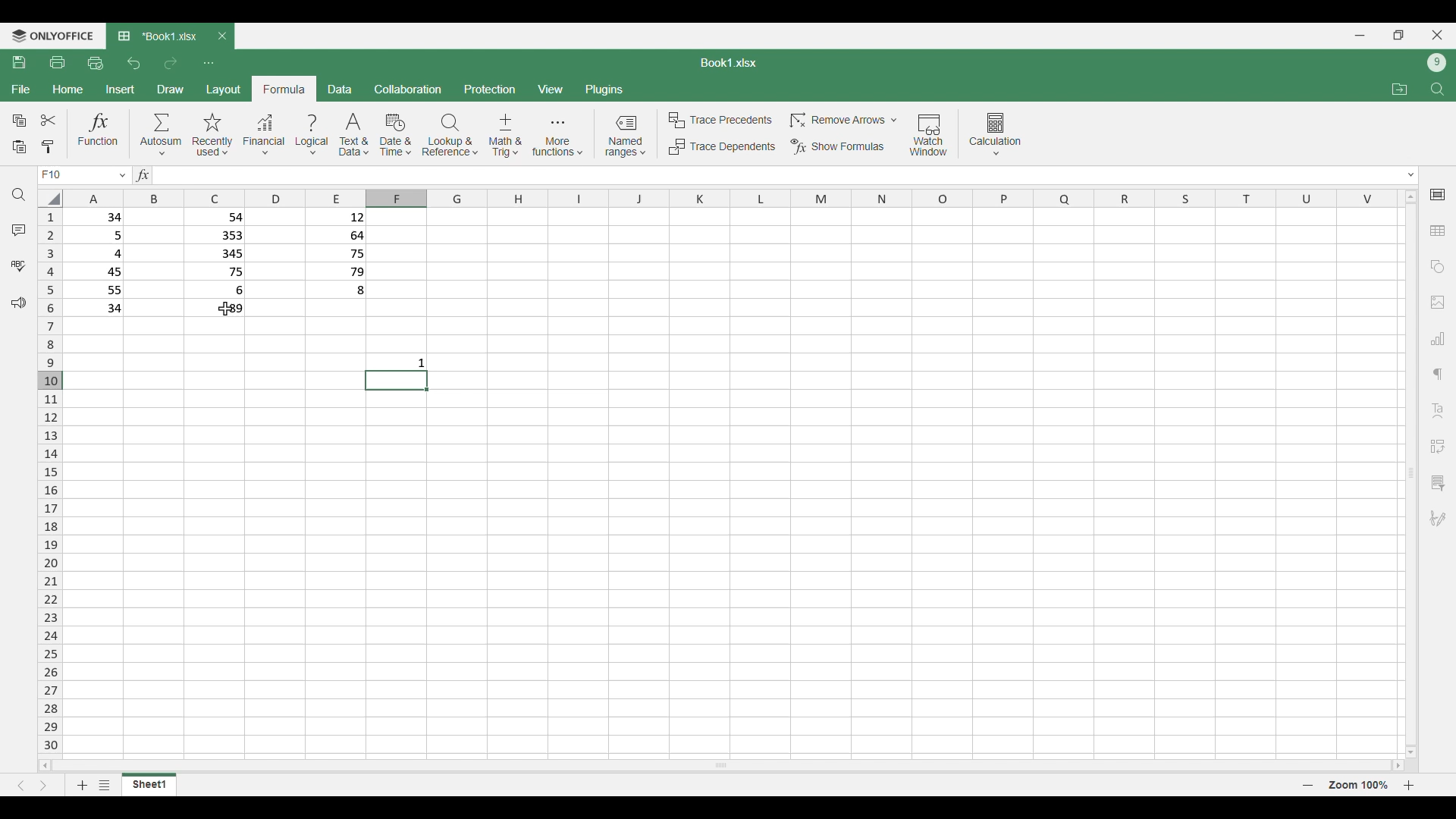 The width and height of the screenshot is (1456, 819). What do you see at coordinates (170, 89) in the screenshot?
I see `Draw menu` at bounding box center [170, 89].